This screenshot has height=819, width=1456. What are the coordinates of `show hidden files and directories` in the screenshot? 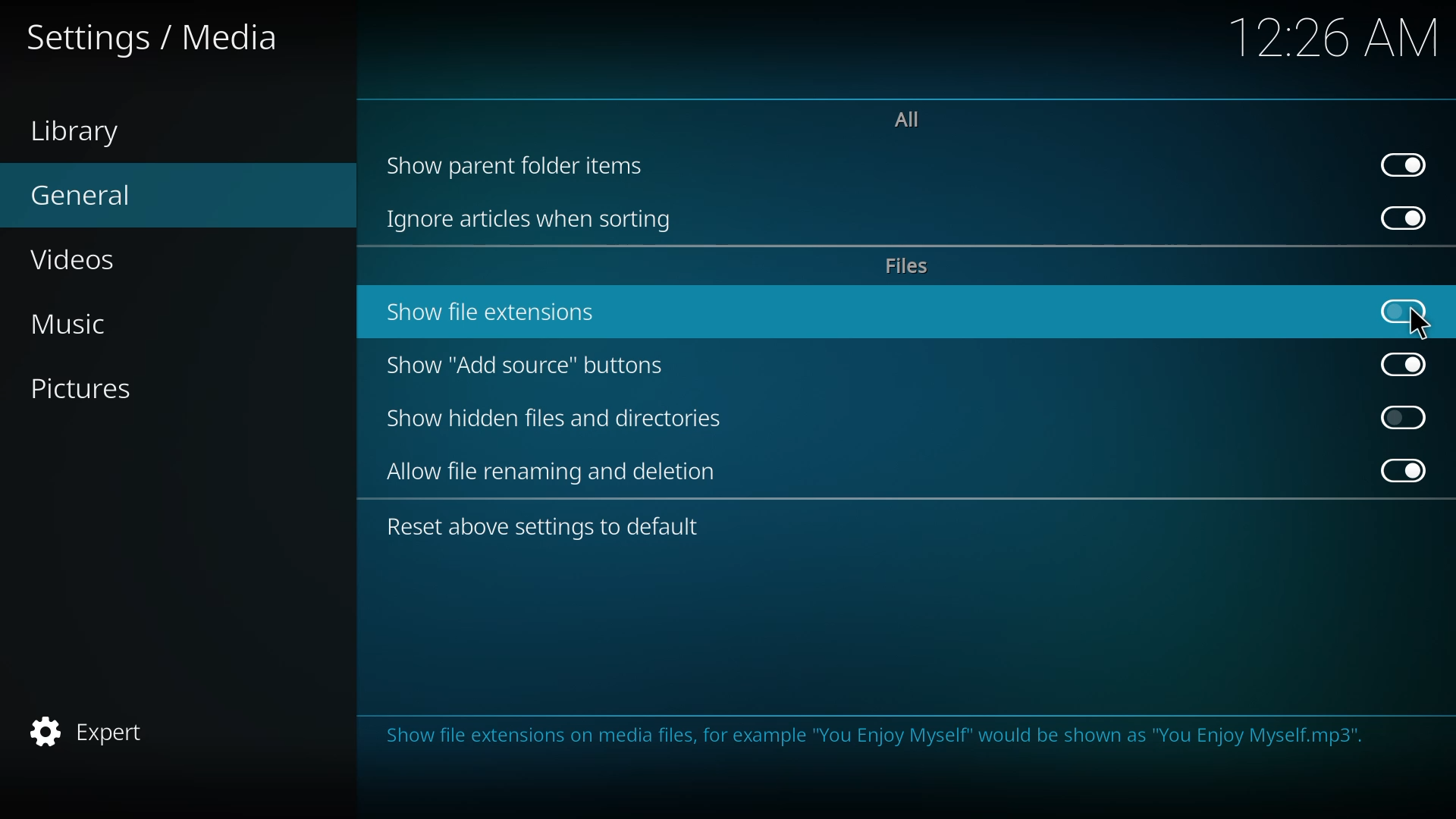 It's located at (561, 419).